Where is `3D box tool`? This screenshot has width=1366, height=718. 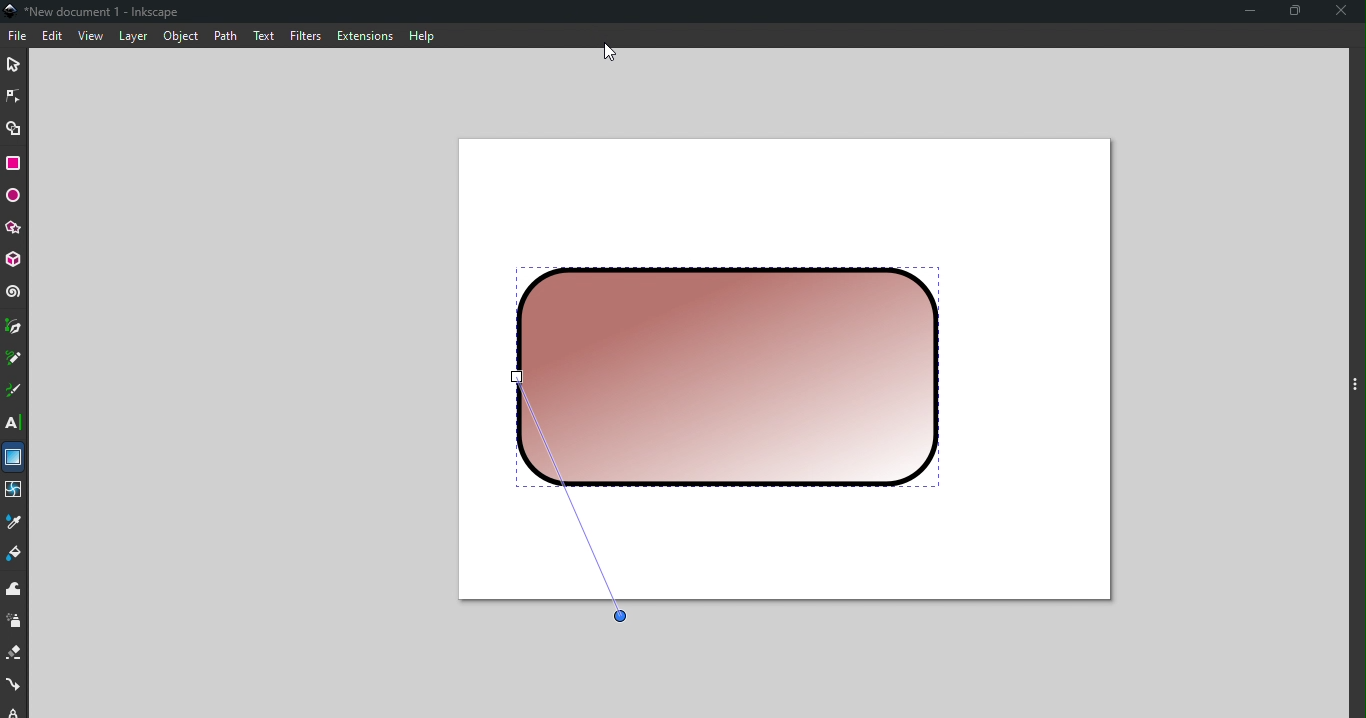 3D box tool is located at coordinates (15, 260).